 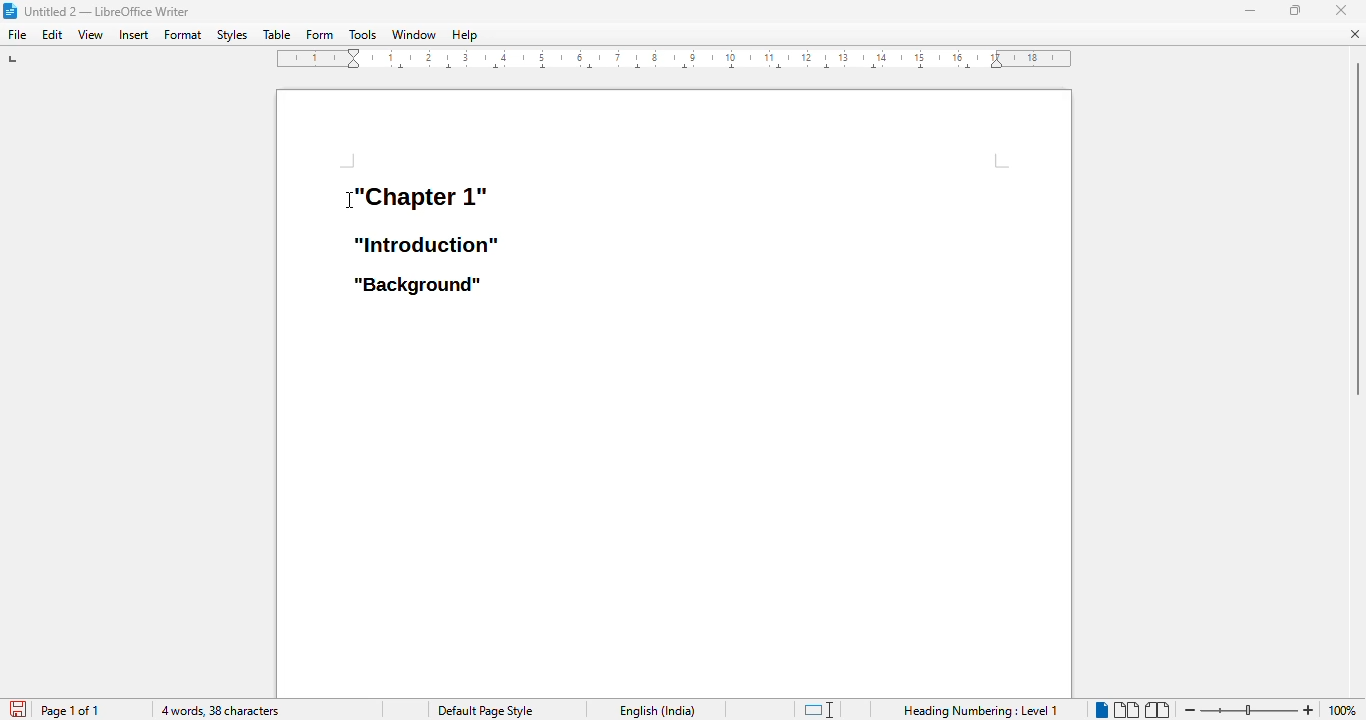 What do you see at coordinates (52, 34) in the screenshot?
I see `edit` at bounding box center [52, 34].